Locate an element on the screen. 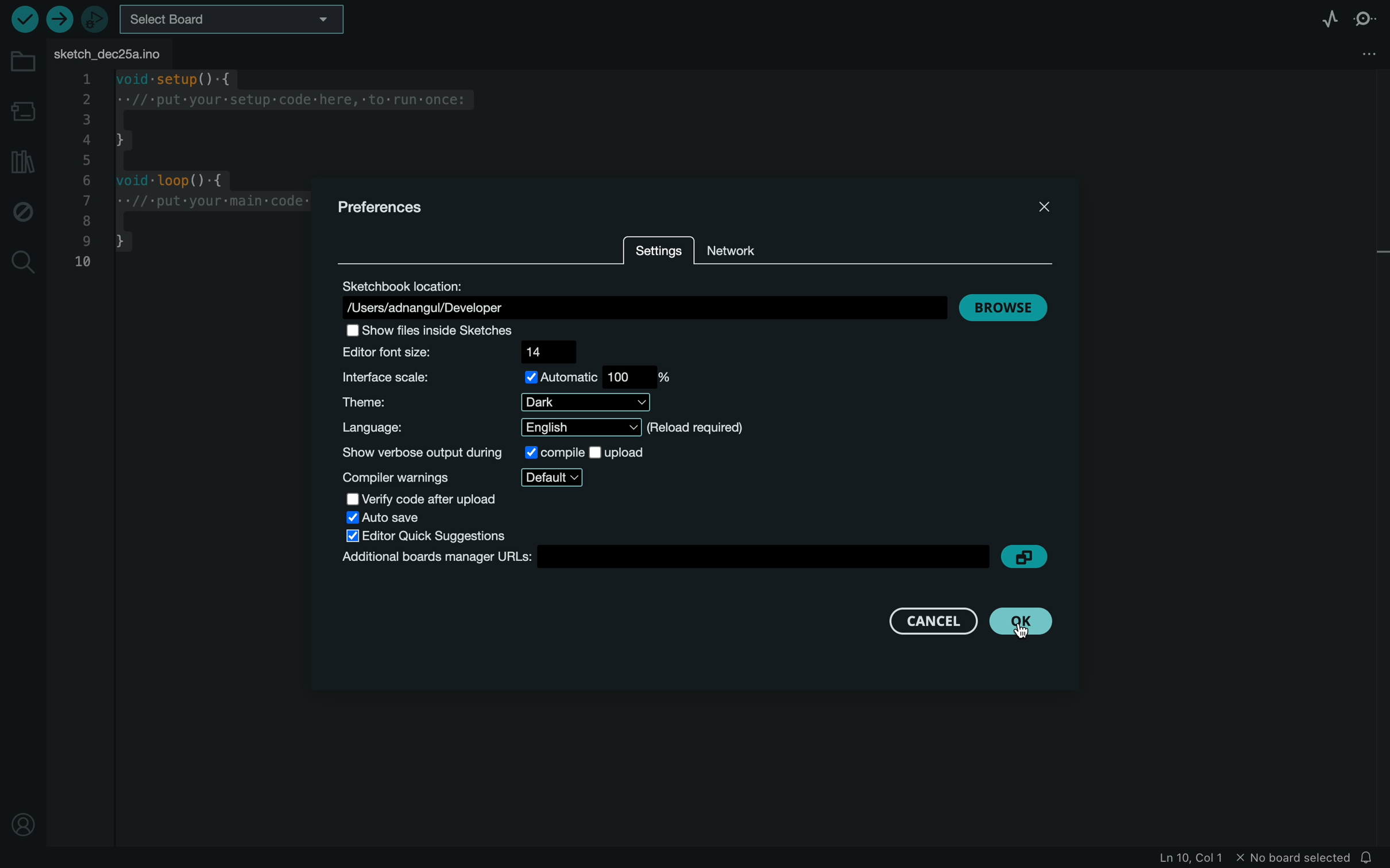 Image resolution: width=1390 pixels, height=868 pixels. compiler is located at coordinates (465, 477).